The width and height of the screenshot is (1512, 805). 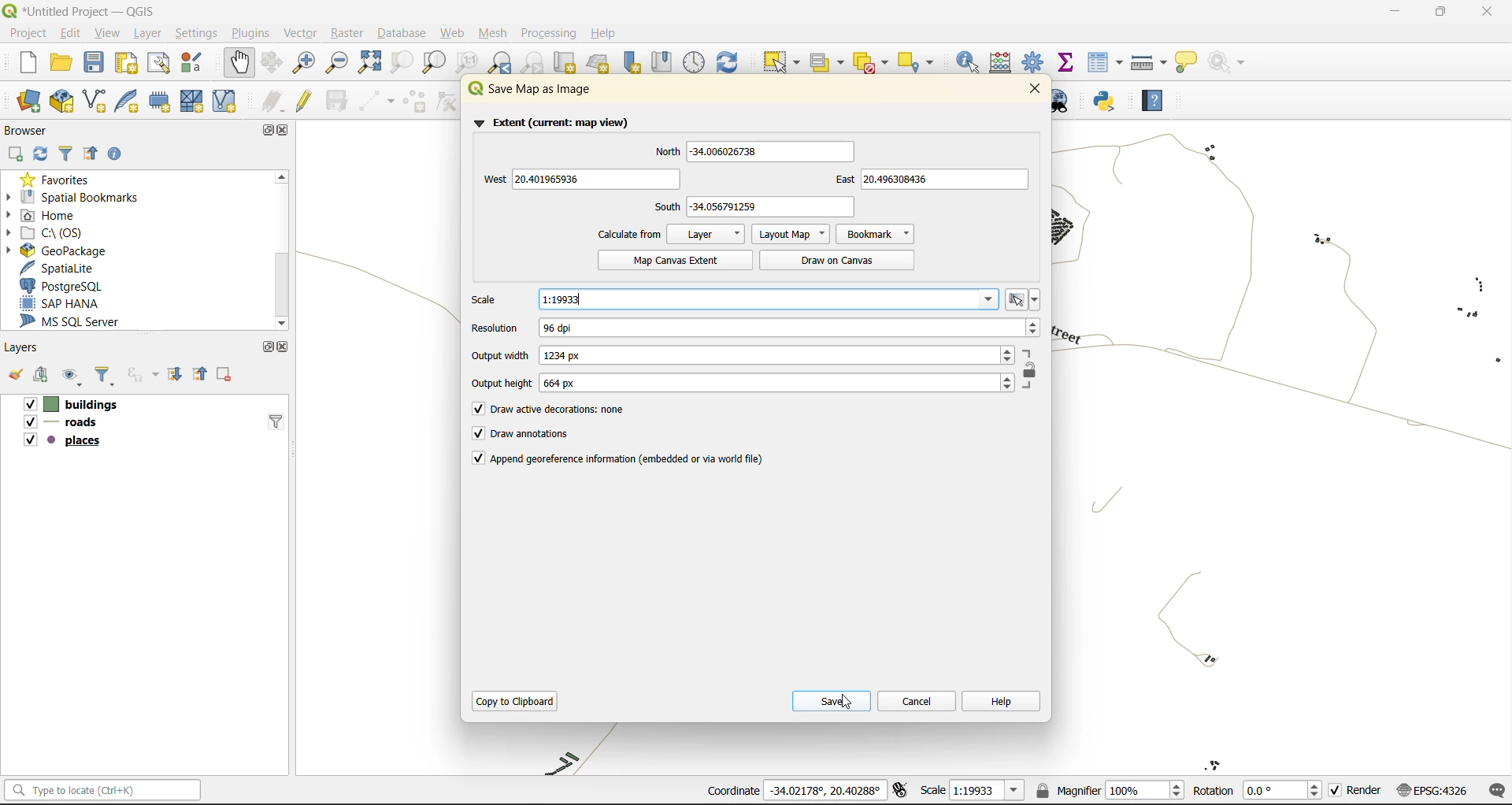 What do you see at coordinates (65, 156) in the screenshot?
I see `filter` at bounding box center [65, 156].